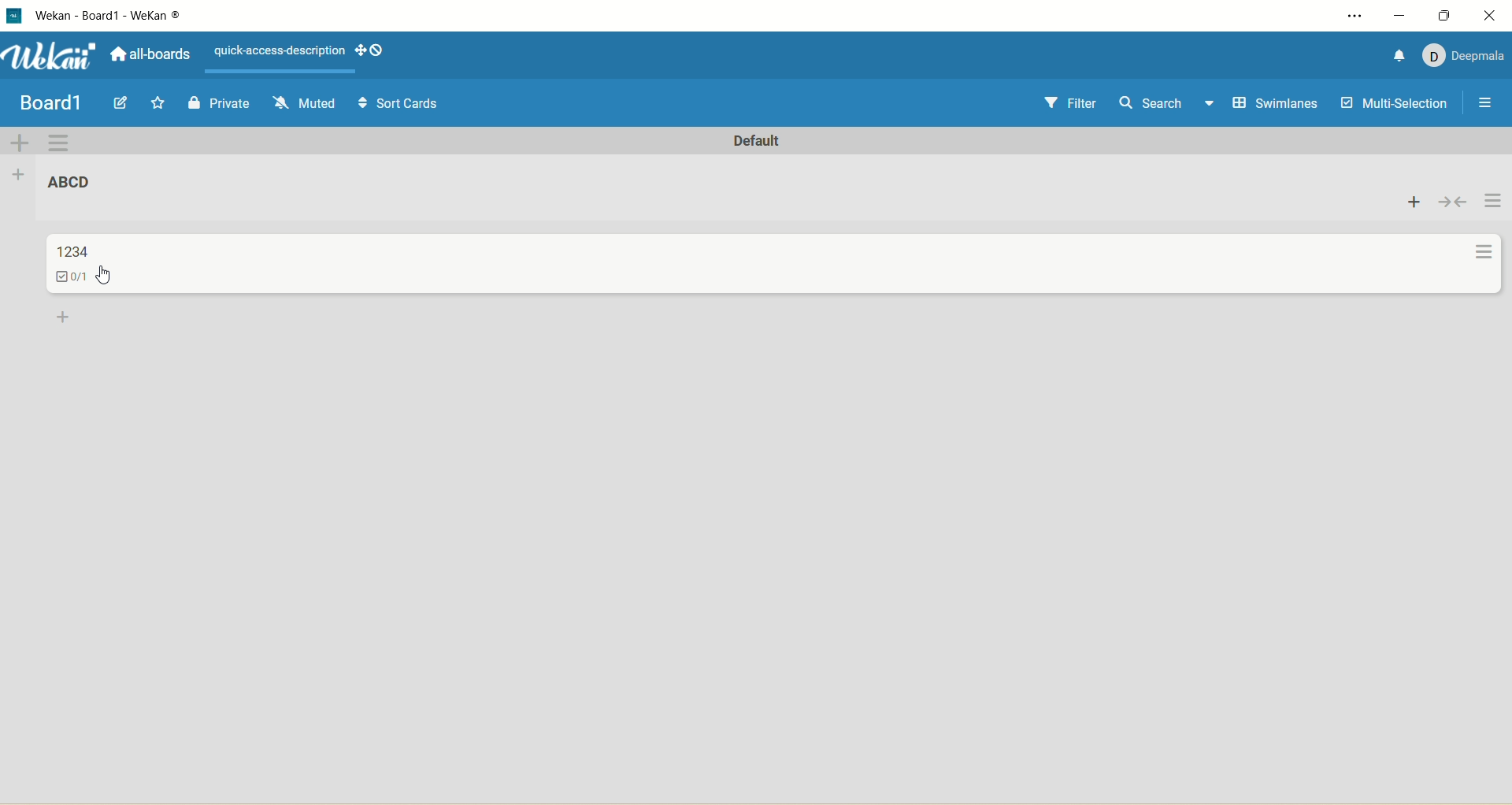 Image resolution: width=1512 pixels, height=805 pixels. Describe the element at coordinates (1273, 104) in the screenshot. I see `swimlane` at that location.